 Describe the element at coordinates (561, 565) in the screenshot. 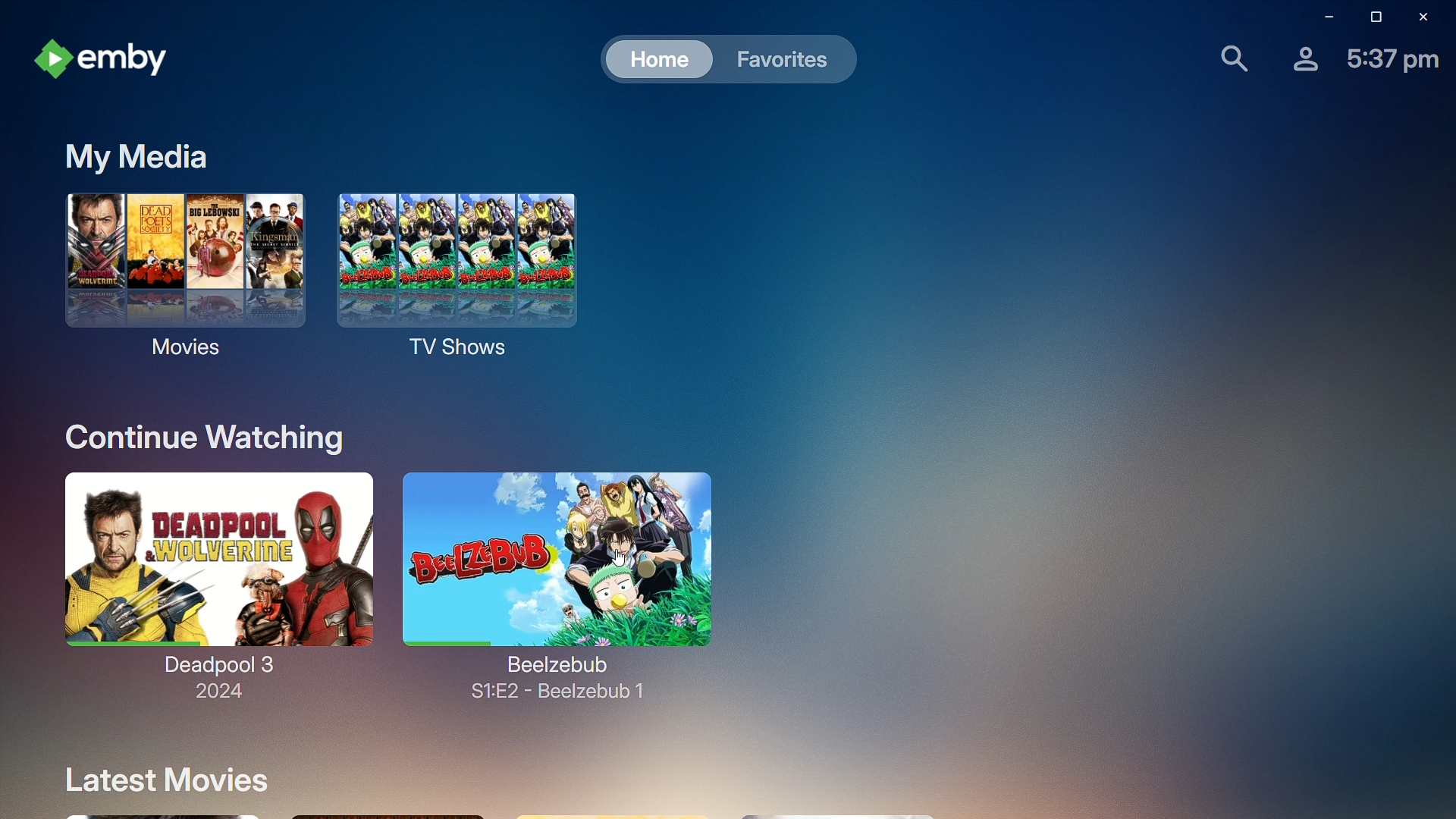

I see `Beelzebub` at that location.